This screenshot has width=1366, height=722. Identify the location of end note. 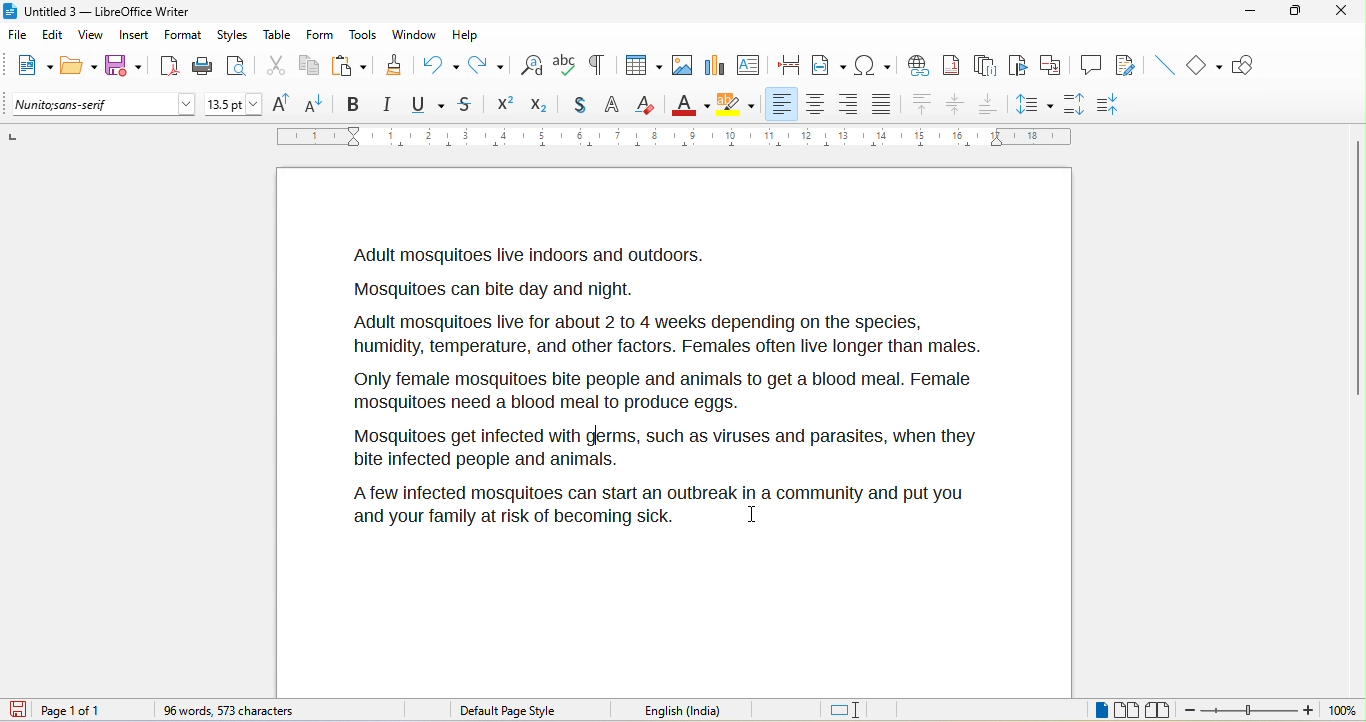
(984, 65).